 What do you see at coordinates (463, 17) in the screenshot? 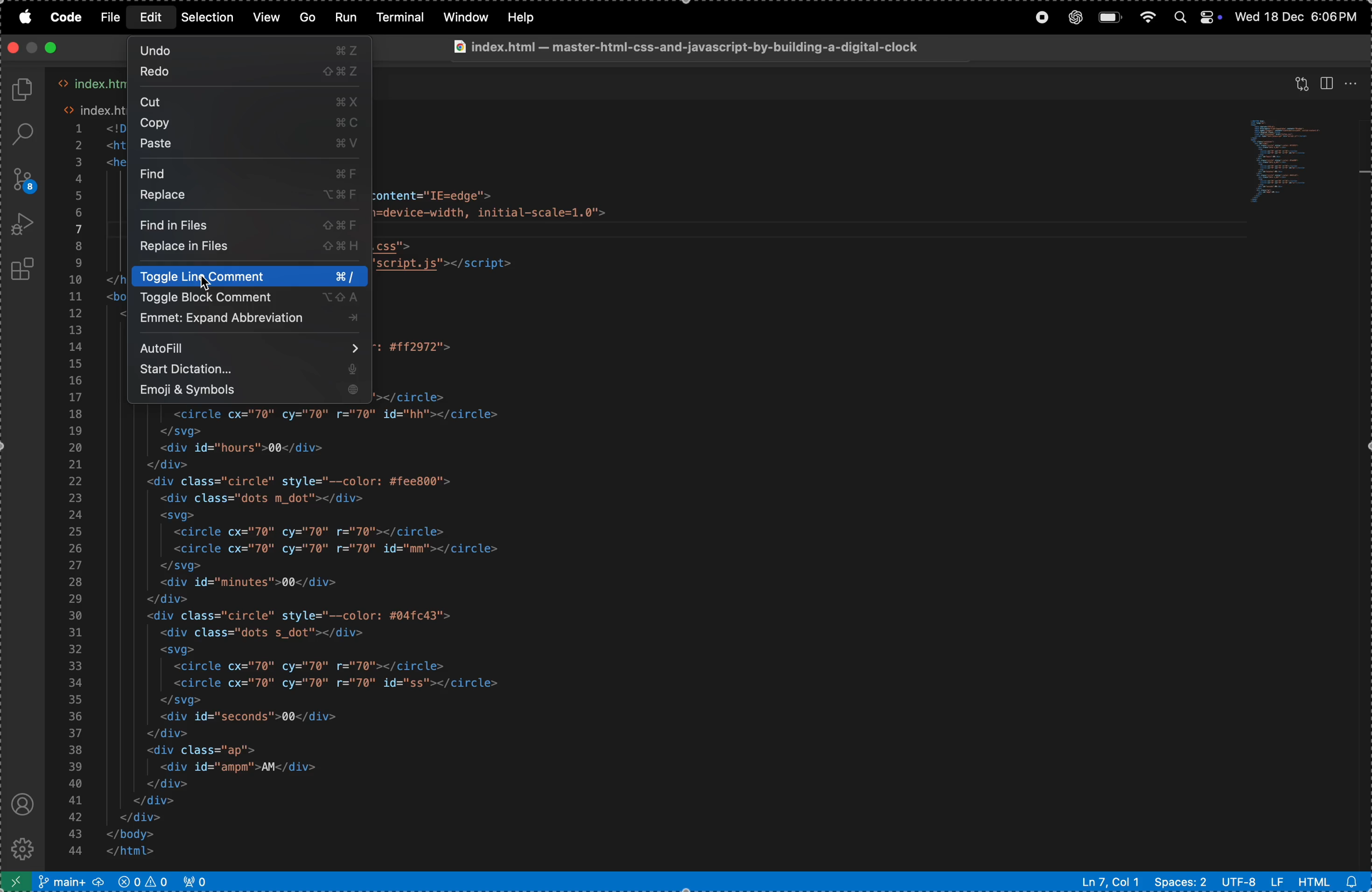
I see `window` at bounding box center [463, 17].